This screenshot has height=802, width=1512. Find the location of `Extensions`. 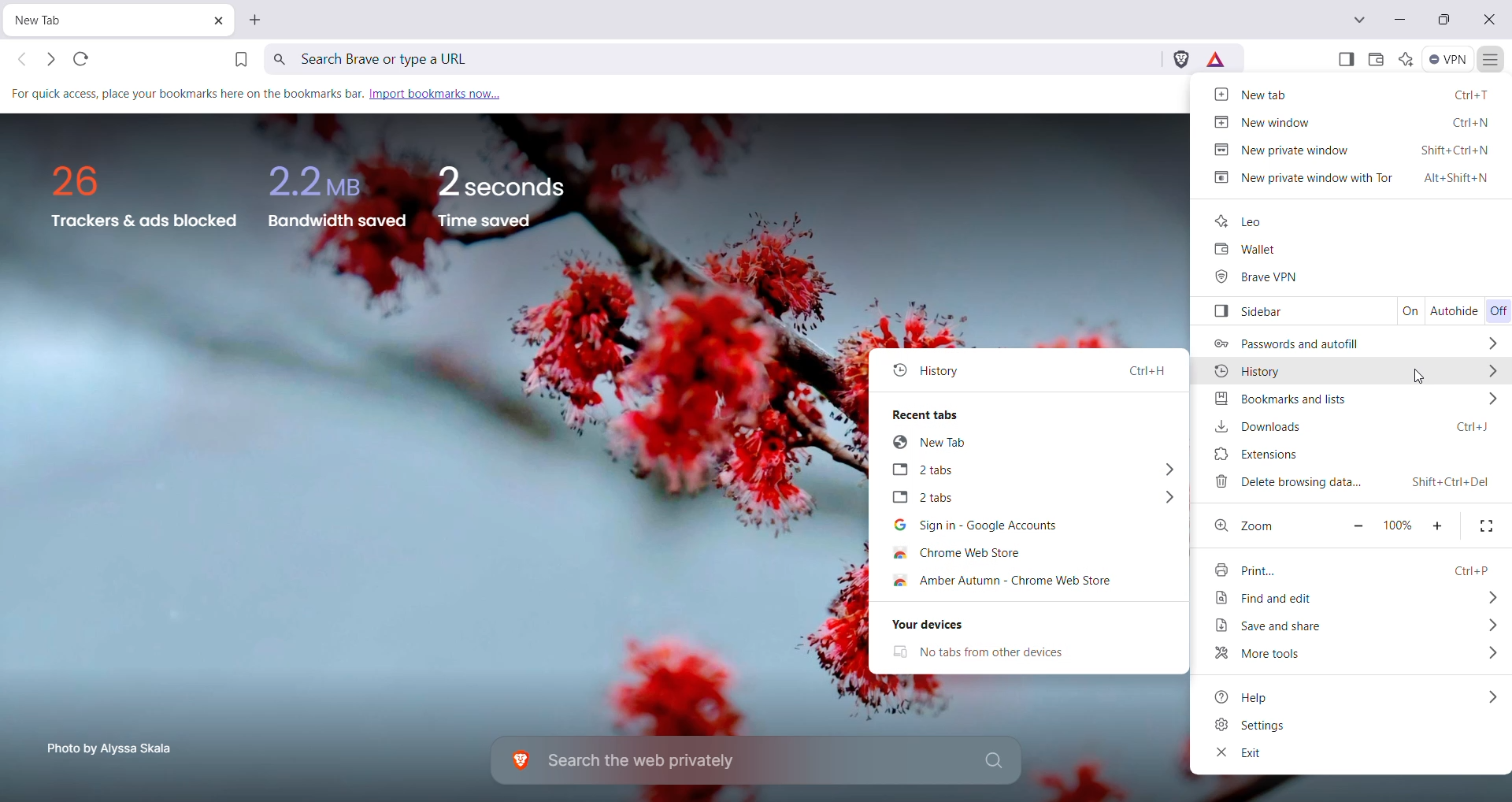

Extensions is located at coordinates (1348, 455).